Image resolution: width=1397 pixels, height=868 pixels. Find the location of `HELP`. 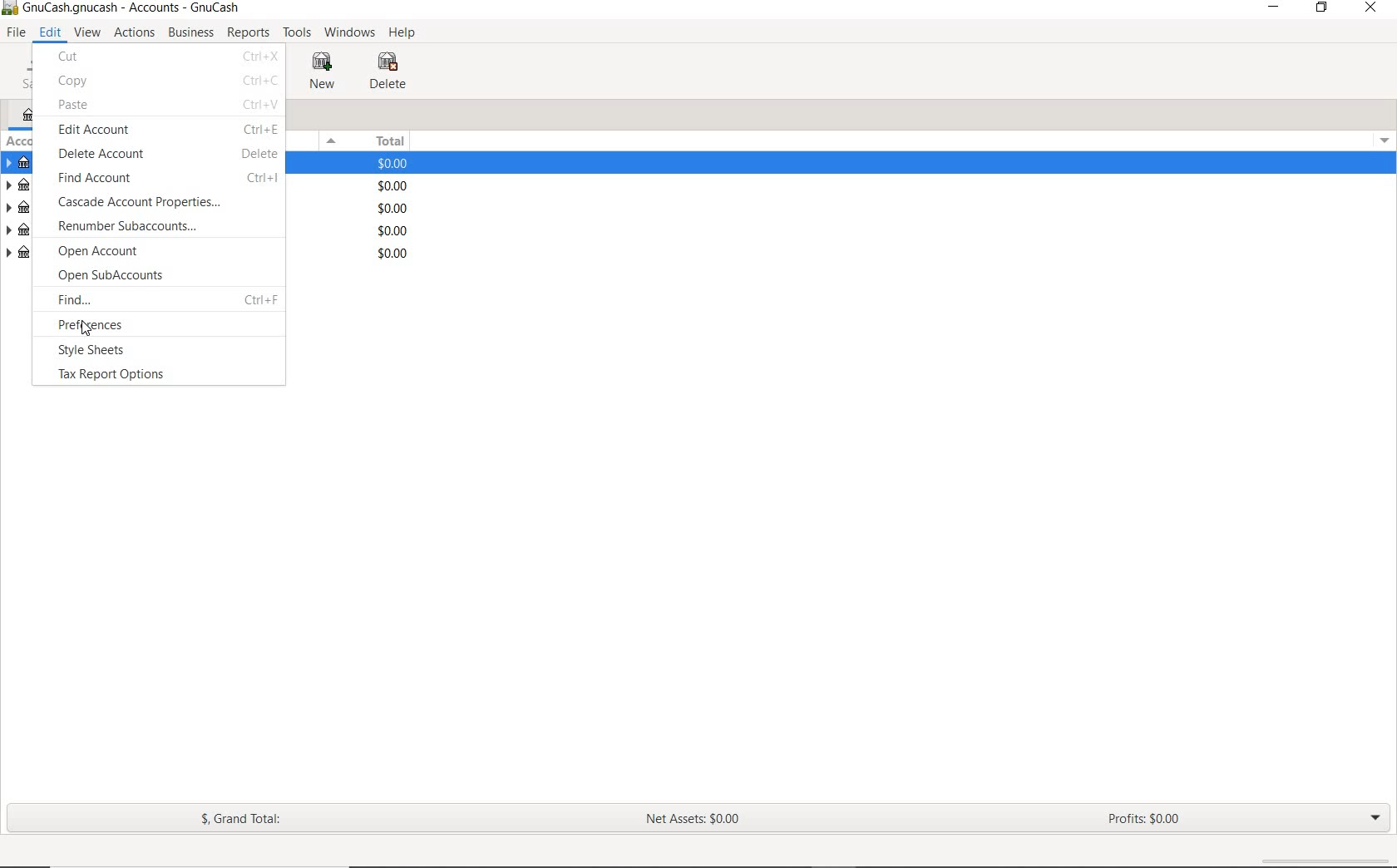

HELP is located at coordinates (403, 33).